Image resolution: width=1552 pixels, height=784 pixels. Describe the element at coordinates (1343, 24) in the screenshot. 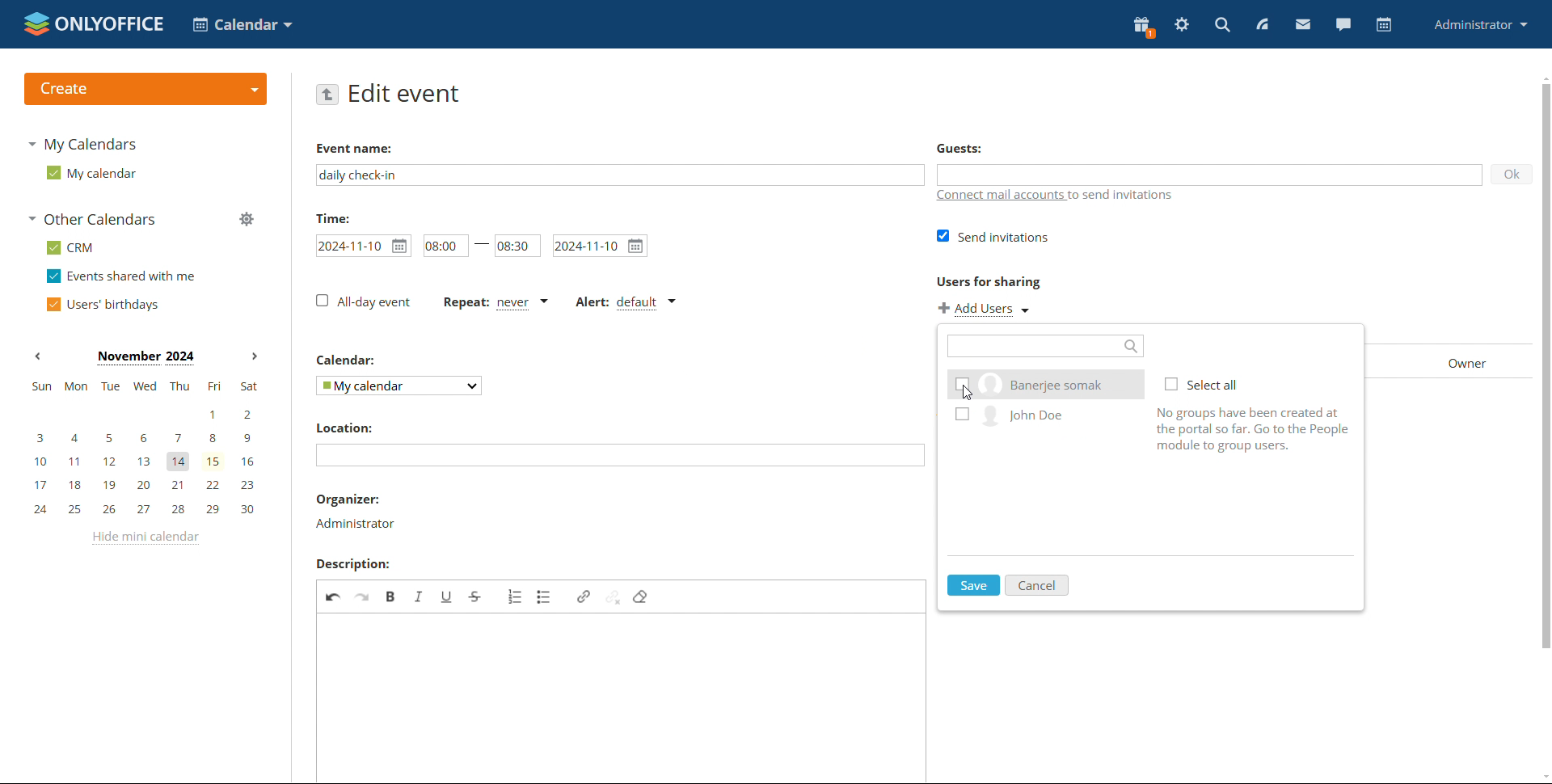

I see `chat` at that location.